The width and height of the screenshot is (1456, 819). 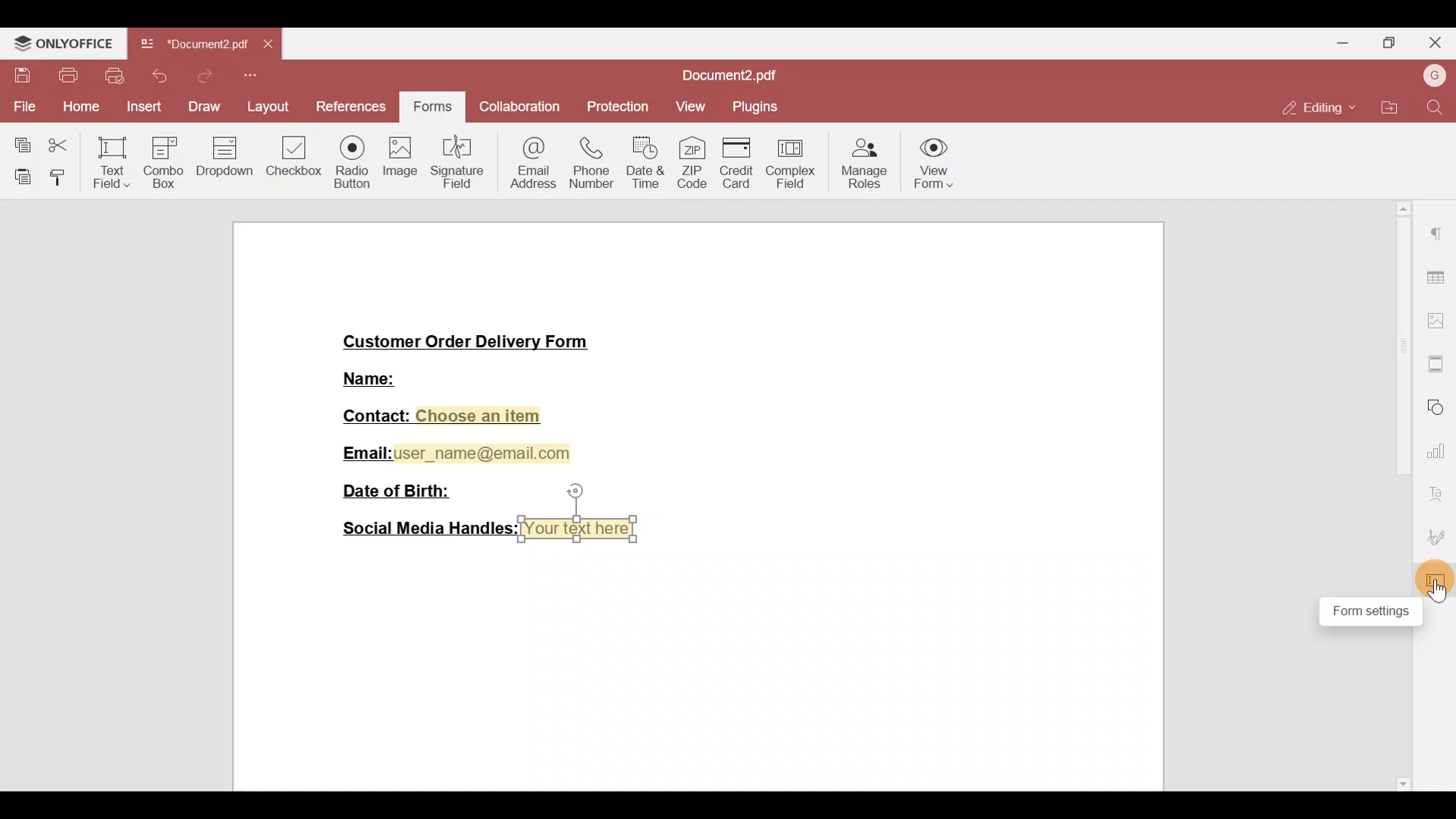 I want to click on Form settings, so click(x=1364, y=613).